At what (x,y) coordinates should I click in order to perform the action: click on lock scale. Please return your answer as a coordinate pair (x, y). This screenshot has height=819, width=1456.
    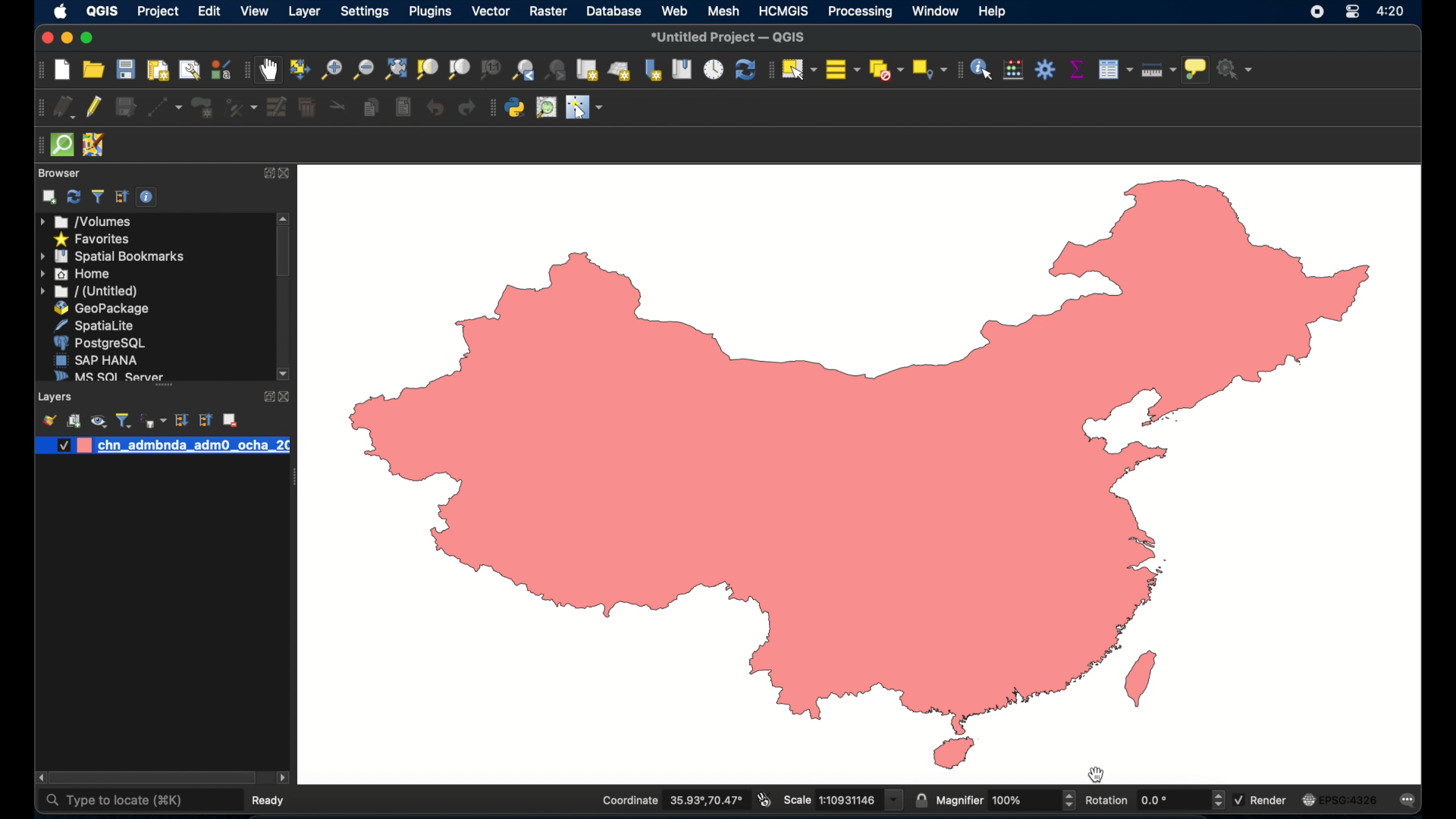
    Looking at the image, I should click on (921, 801).